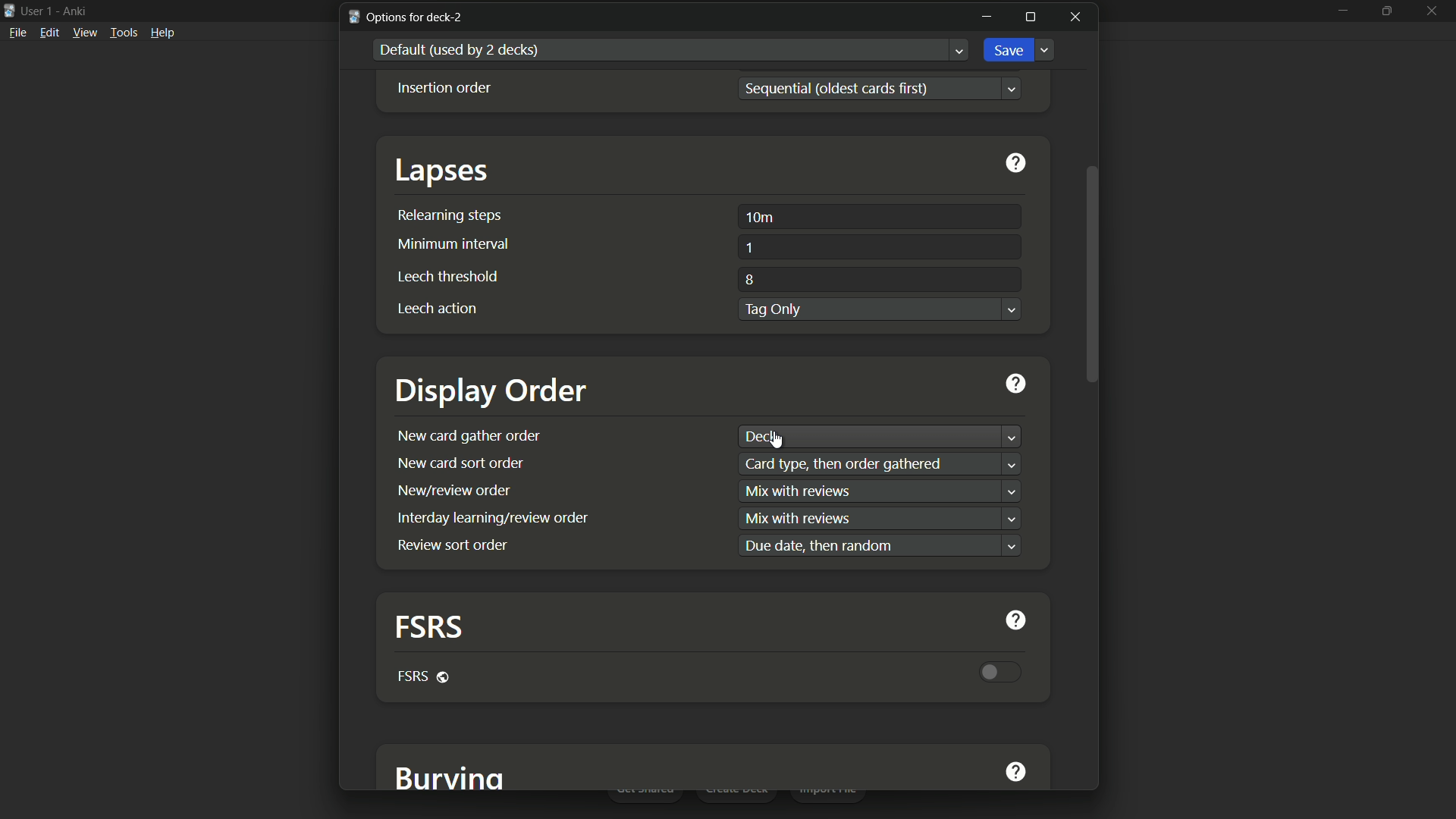 This screenshot has height=819, width=1456. What do you see at coordinates (750, 248) in the screenshot?
I see `1` at bounding box center [750, 248].